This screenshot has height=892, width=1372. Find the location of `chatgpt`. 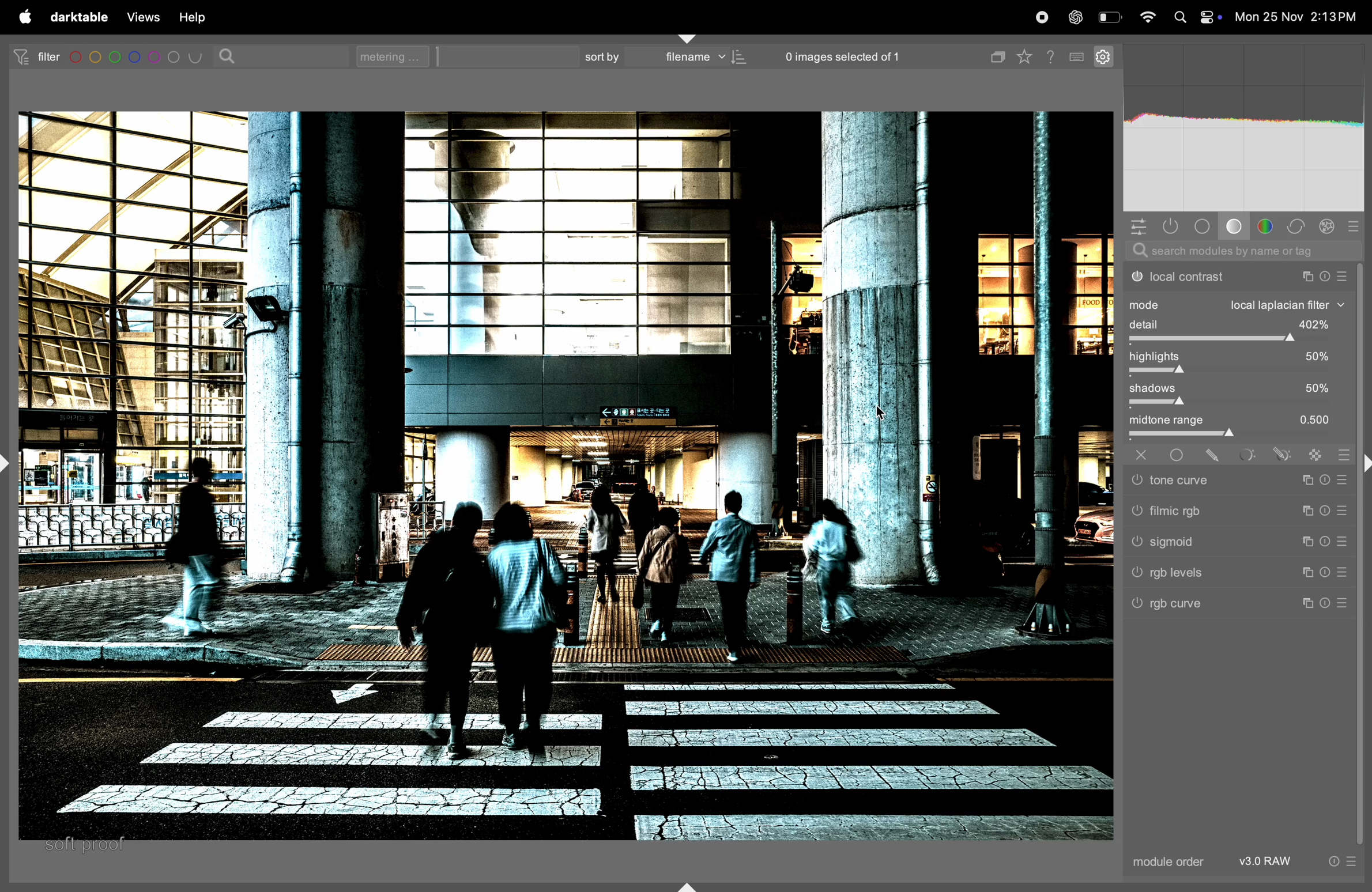

chatgpt is located at coordinates (1075, 16).